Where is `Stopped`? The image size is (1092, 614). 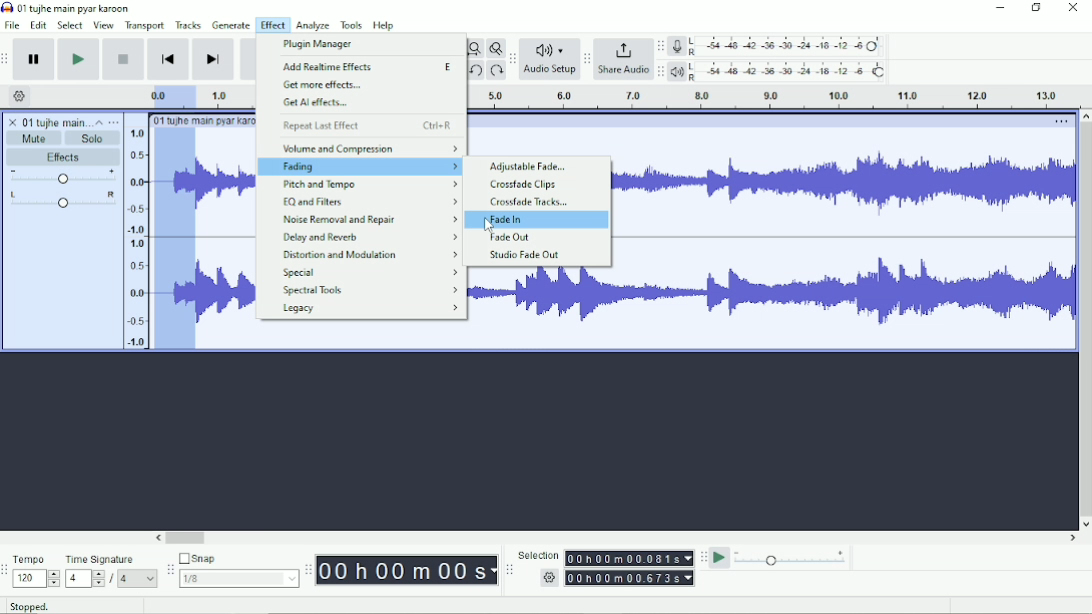
Stopped is located at coordinates (43, 604).